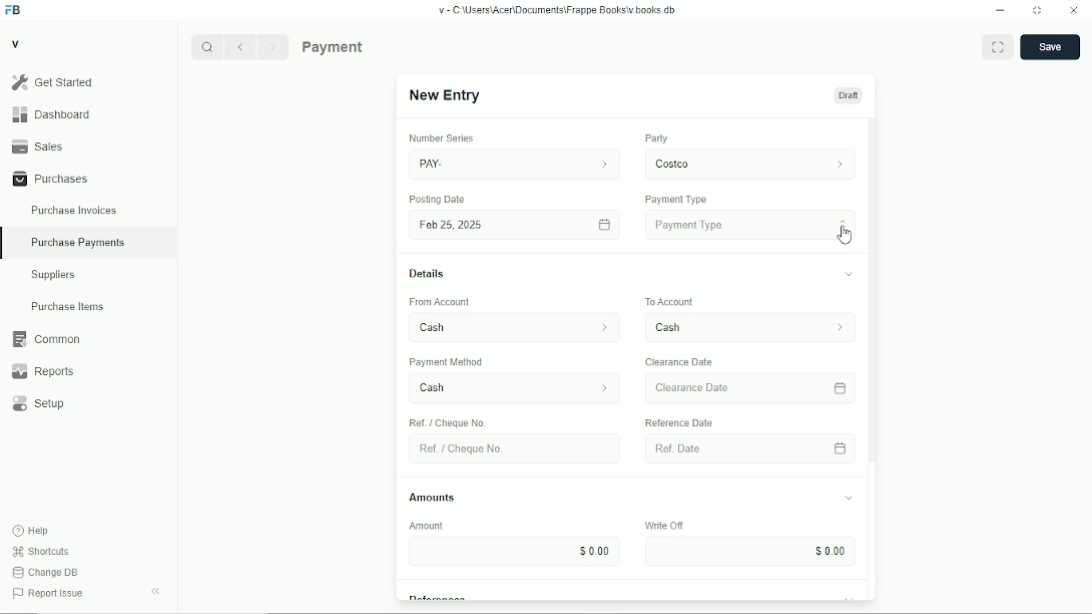 This screenshot has height=614, width=1092. Describe the element at coordinates (447, 95) in the screenshot. I see `New Entry` at that location.